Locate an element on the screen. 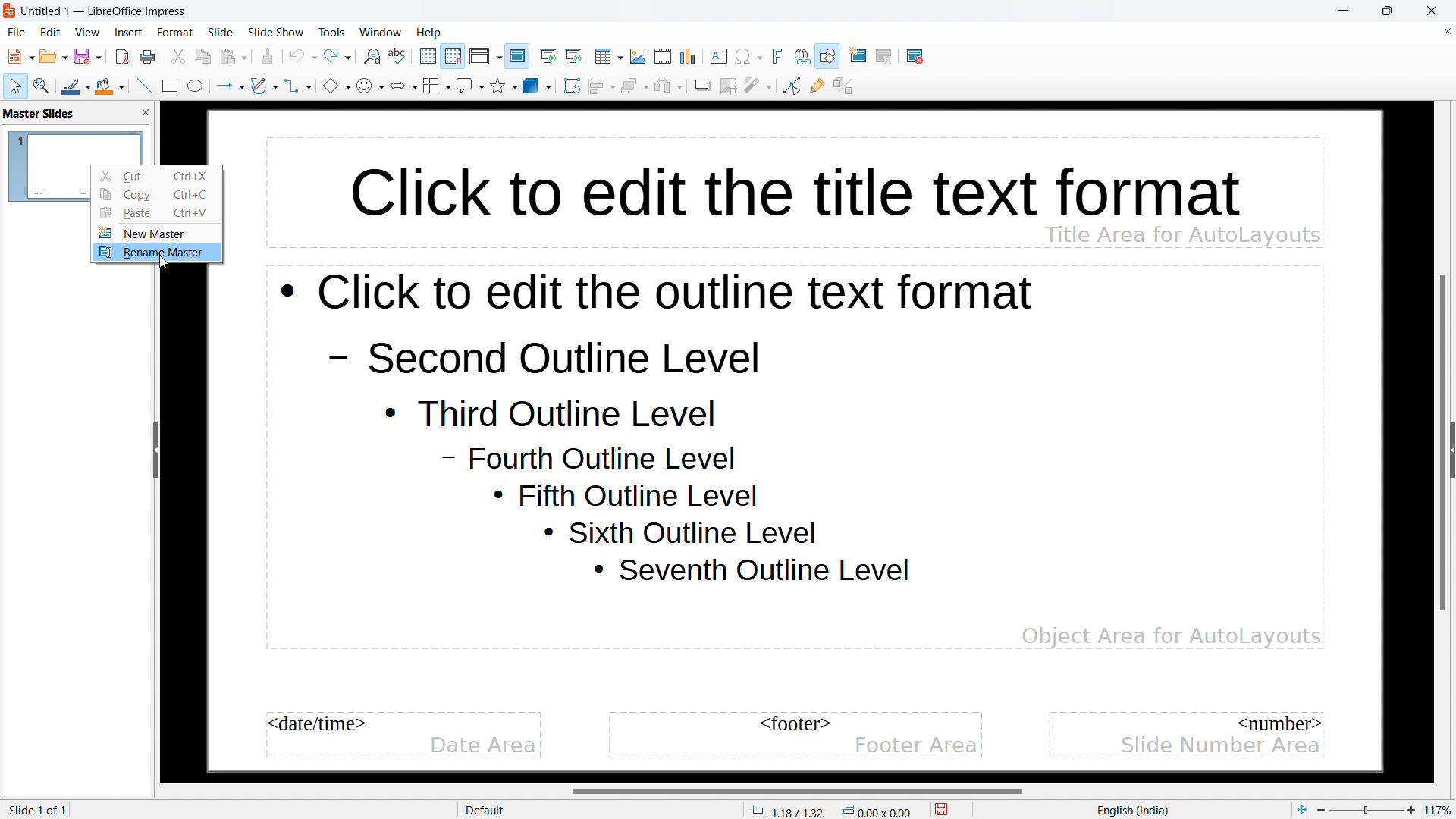  expand is located at coordinates (1451, 450).